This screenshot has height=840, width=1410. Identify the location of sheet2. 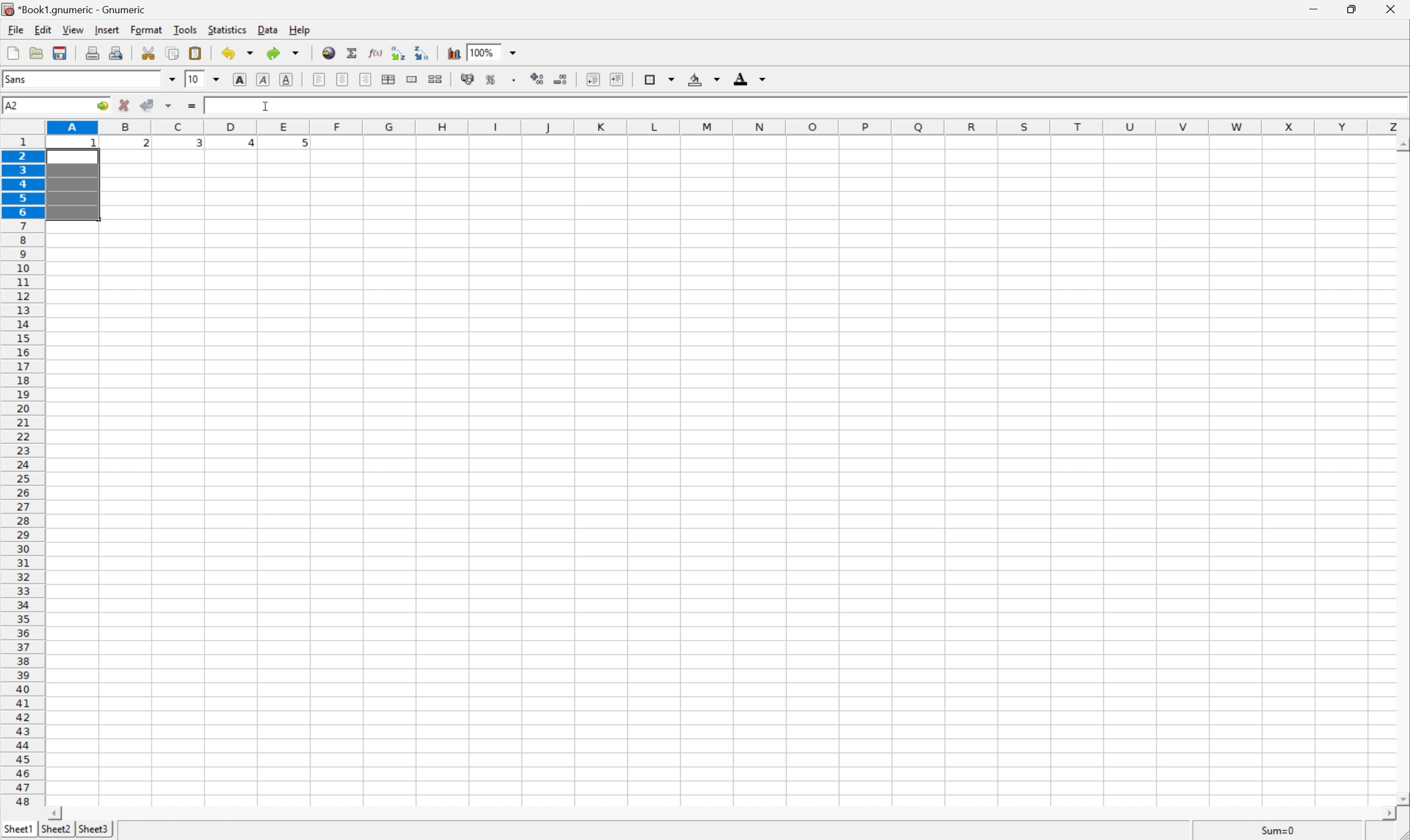
(57, 832).